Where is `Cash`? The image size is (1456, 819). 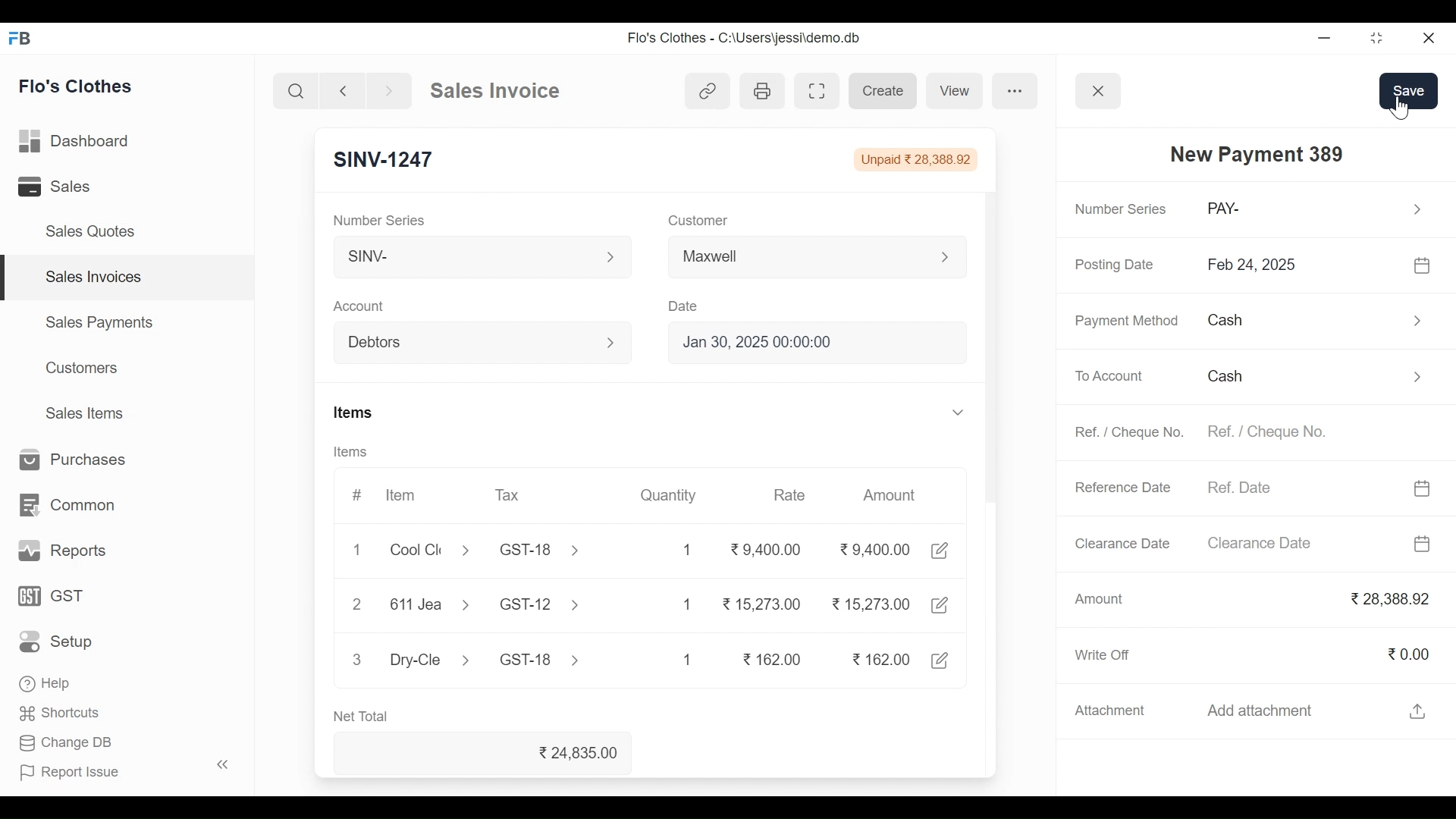 Cash is located at coordinates (1235, 319).